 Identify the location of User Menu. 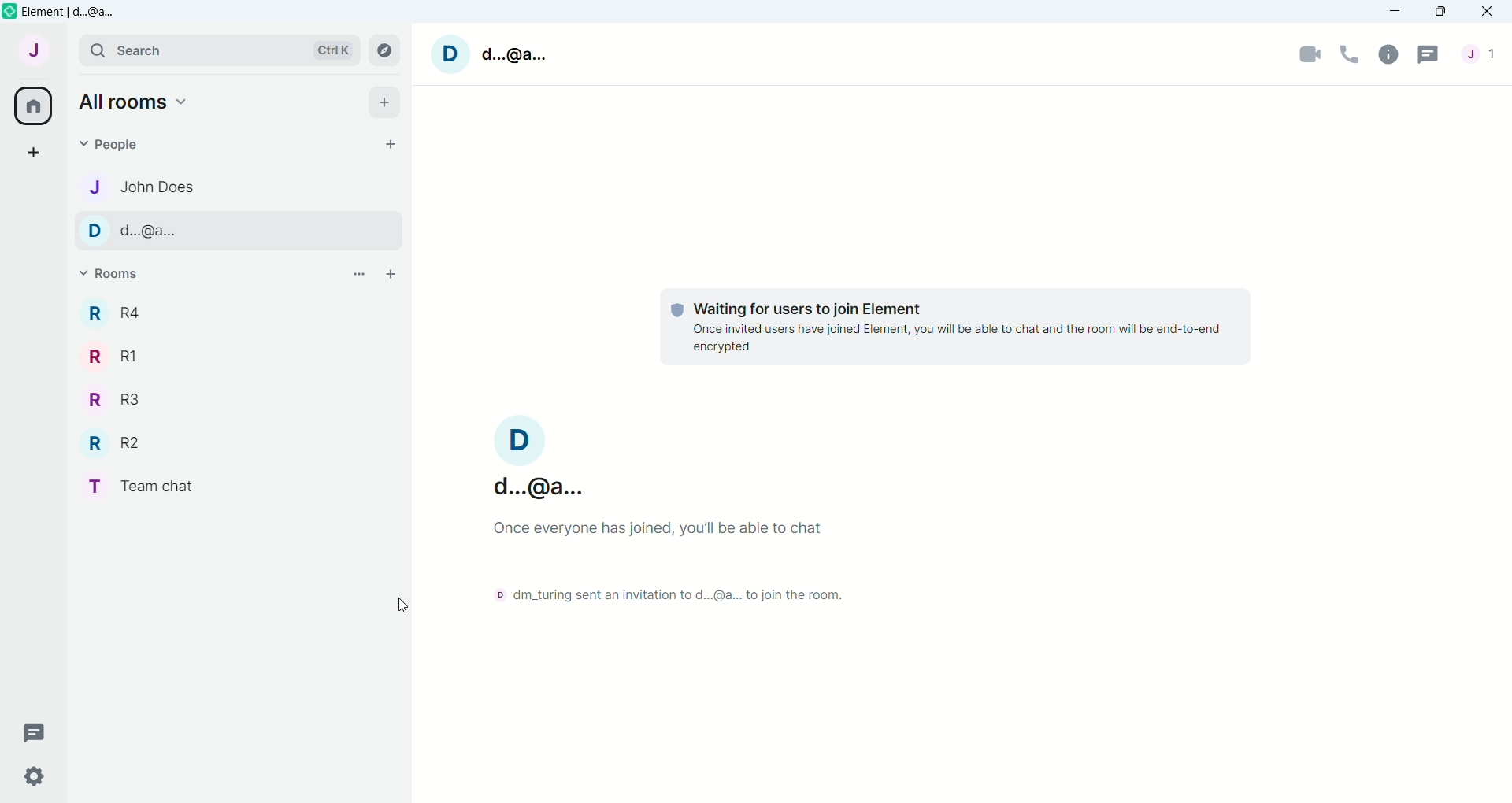
(39, 50).